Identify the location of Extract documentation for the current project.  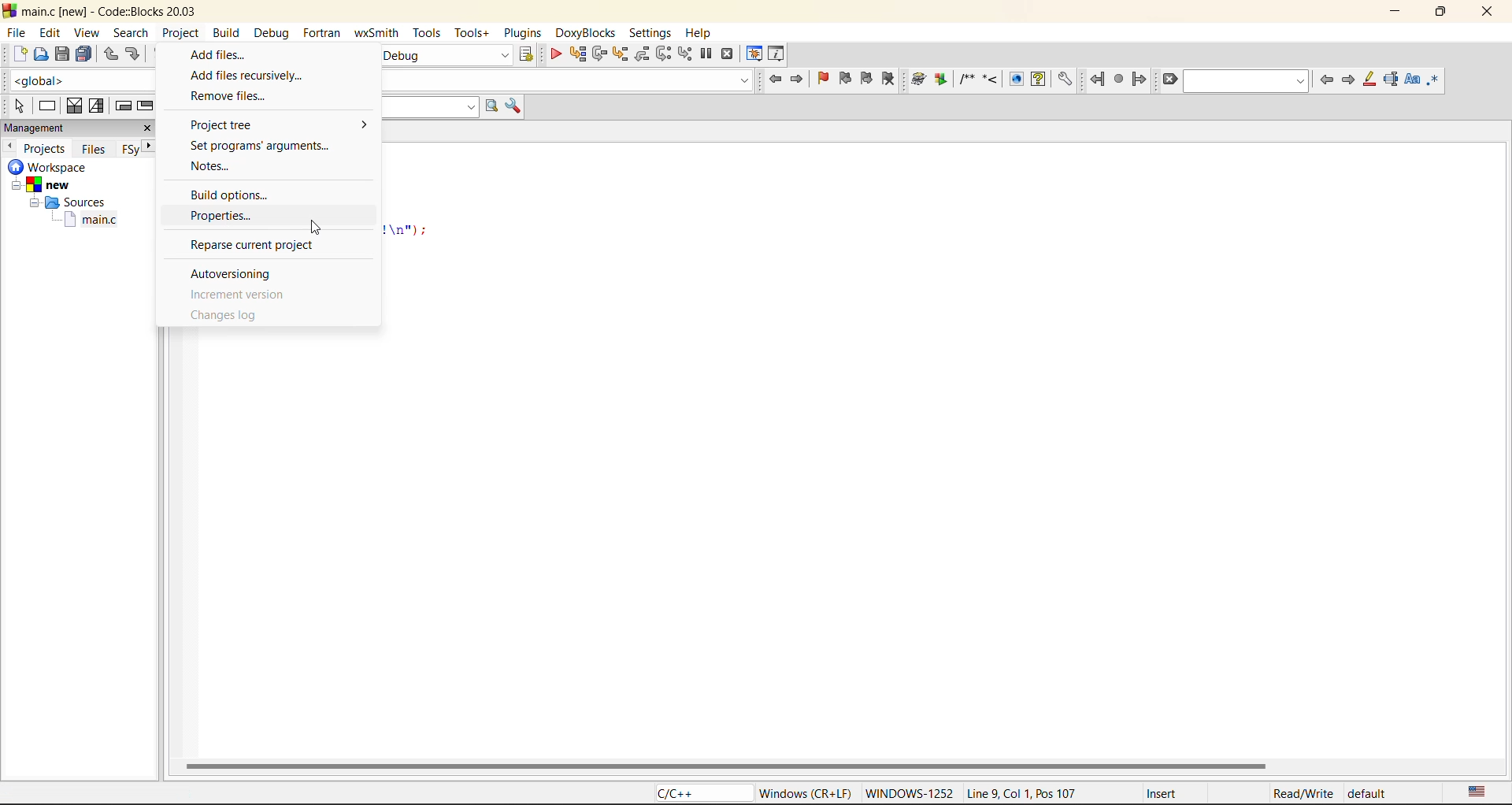
(941, 80).